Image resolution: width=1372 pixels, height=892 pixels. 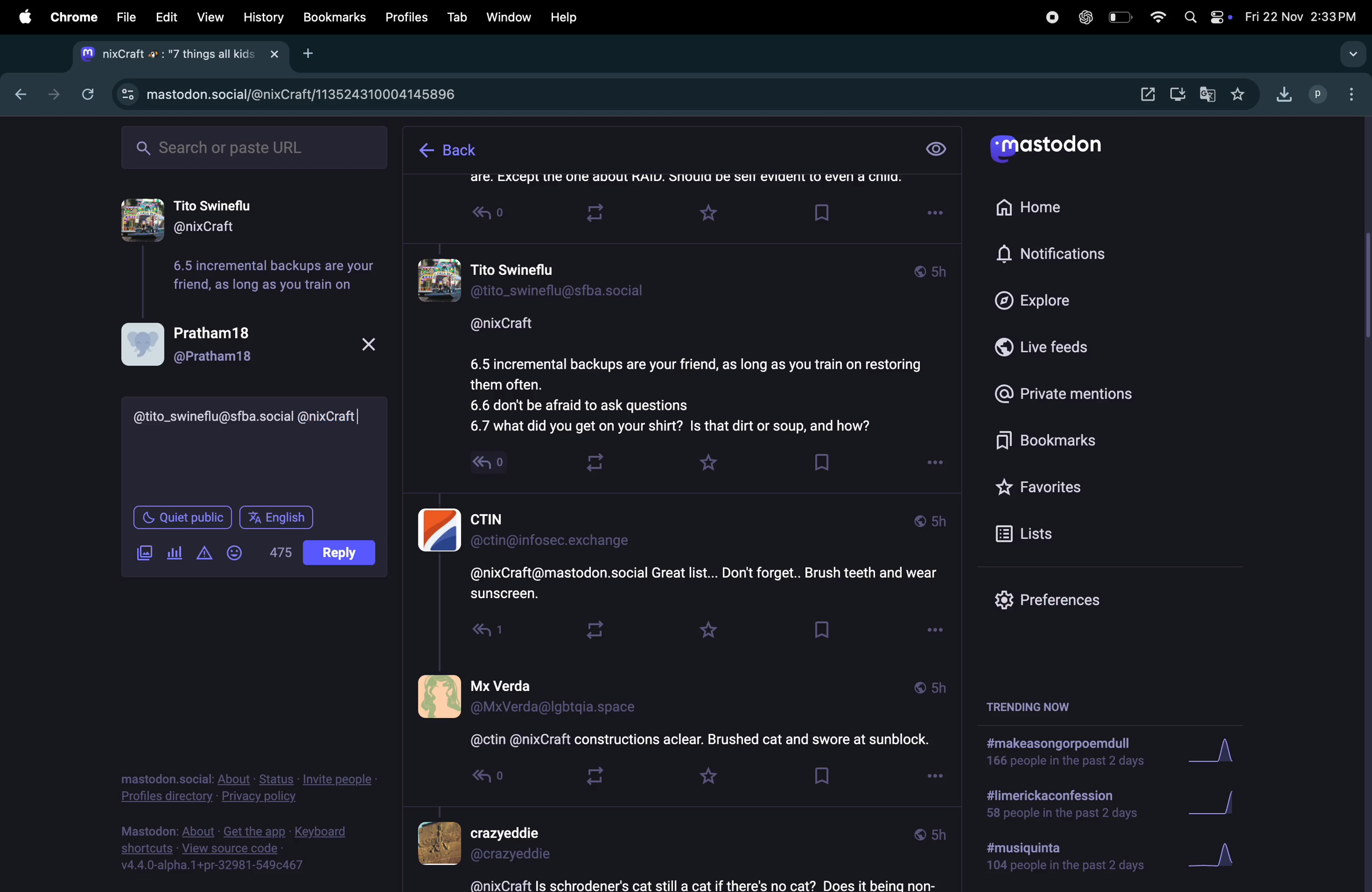 I want to click on Favourite, so click(x=707, y=780).